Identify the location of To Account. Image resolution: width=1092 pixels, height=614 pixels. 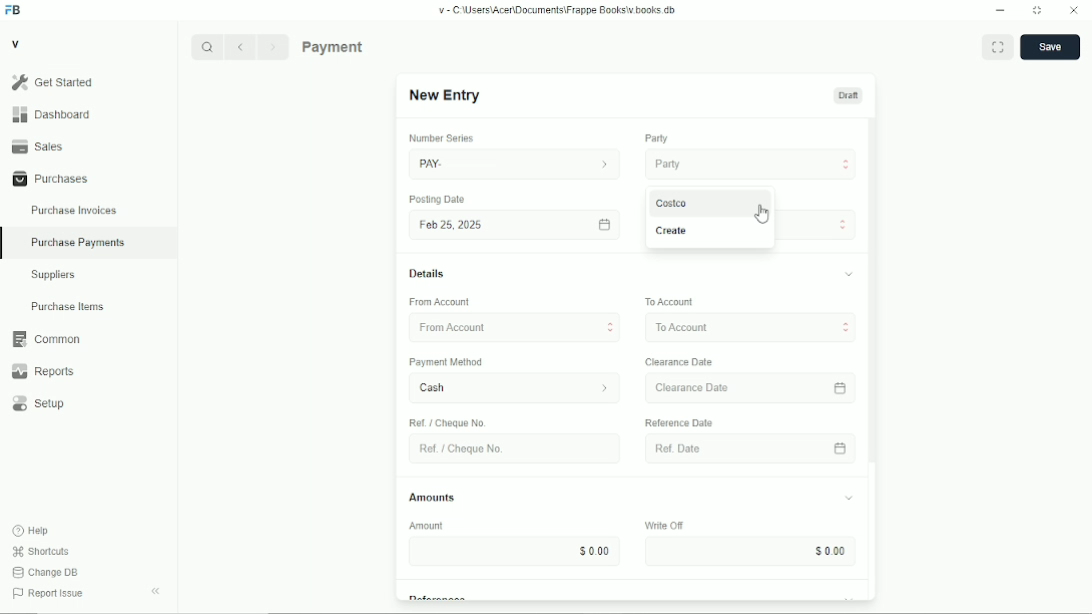
(667, 300).